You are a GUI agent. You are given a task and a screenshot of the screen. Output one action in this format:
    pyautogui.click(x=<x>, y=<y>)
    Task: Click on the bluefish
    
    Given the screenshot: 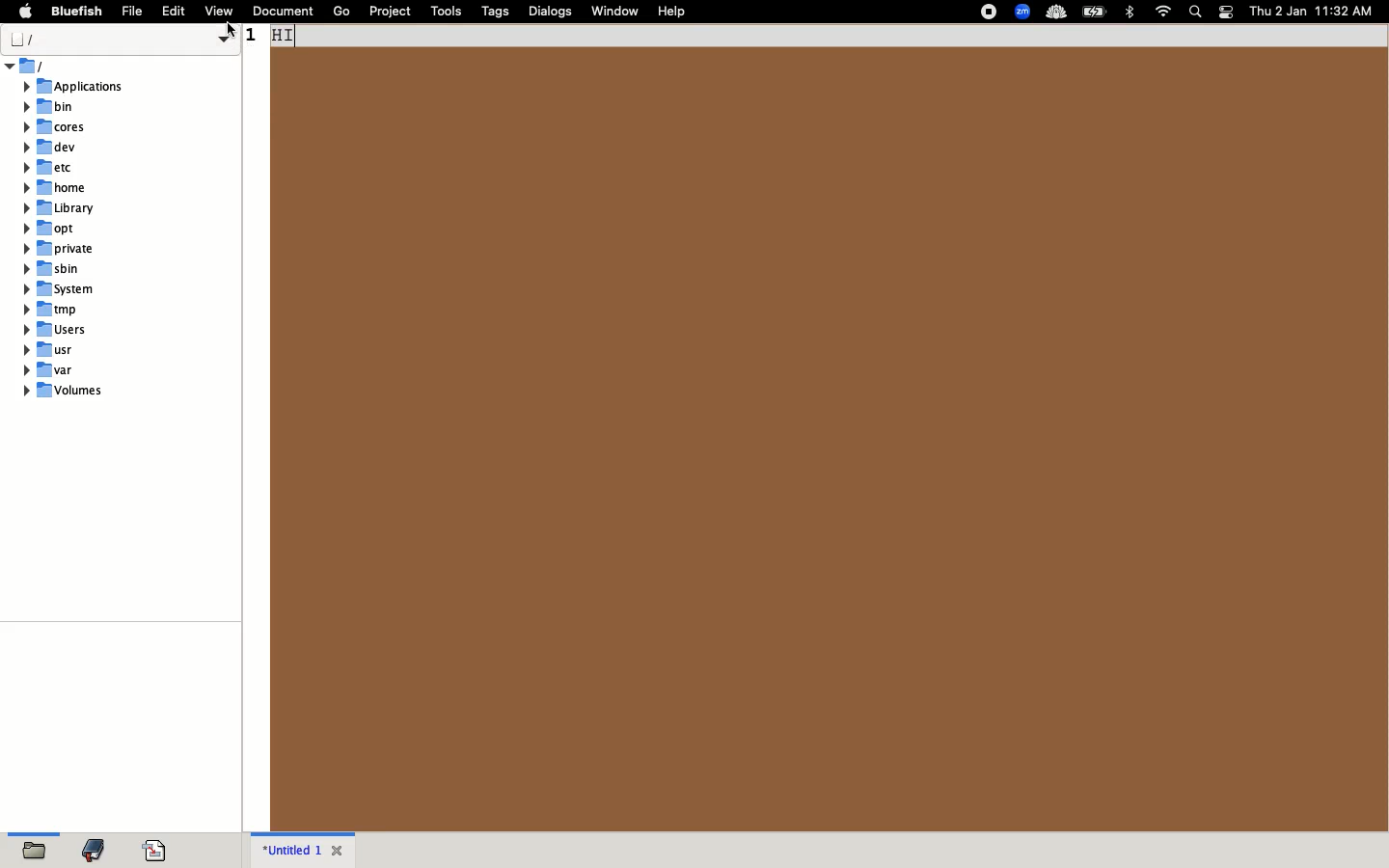 What is the action you would take?
    pyautogui.click(x=76, y=12)
    